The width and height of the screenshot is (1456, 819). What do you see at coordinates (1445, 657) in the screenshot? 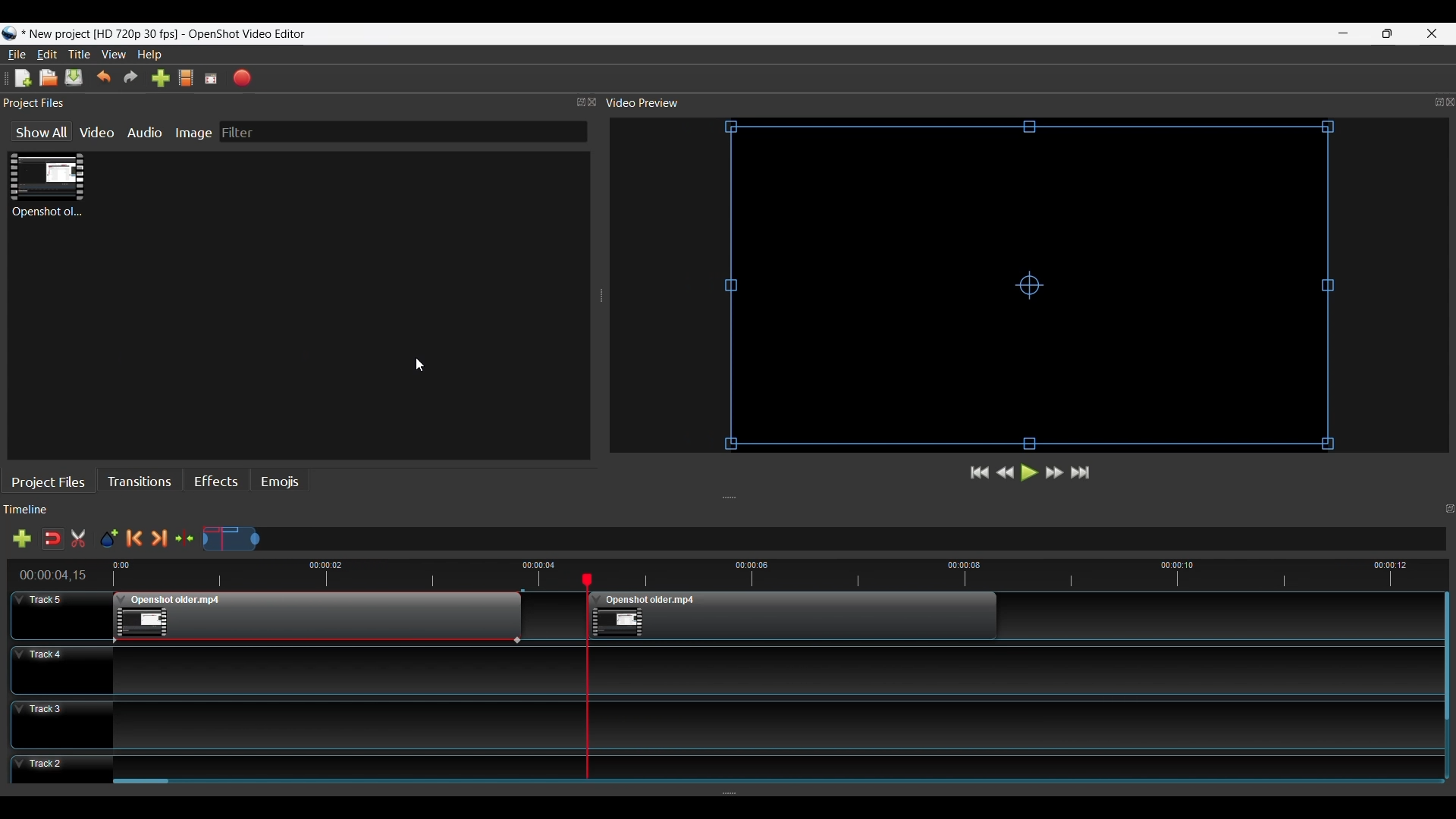
I see `Vertical Scroll bar` at bounding box center [1445, 657].